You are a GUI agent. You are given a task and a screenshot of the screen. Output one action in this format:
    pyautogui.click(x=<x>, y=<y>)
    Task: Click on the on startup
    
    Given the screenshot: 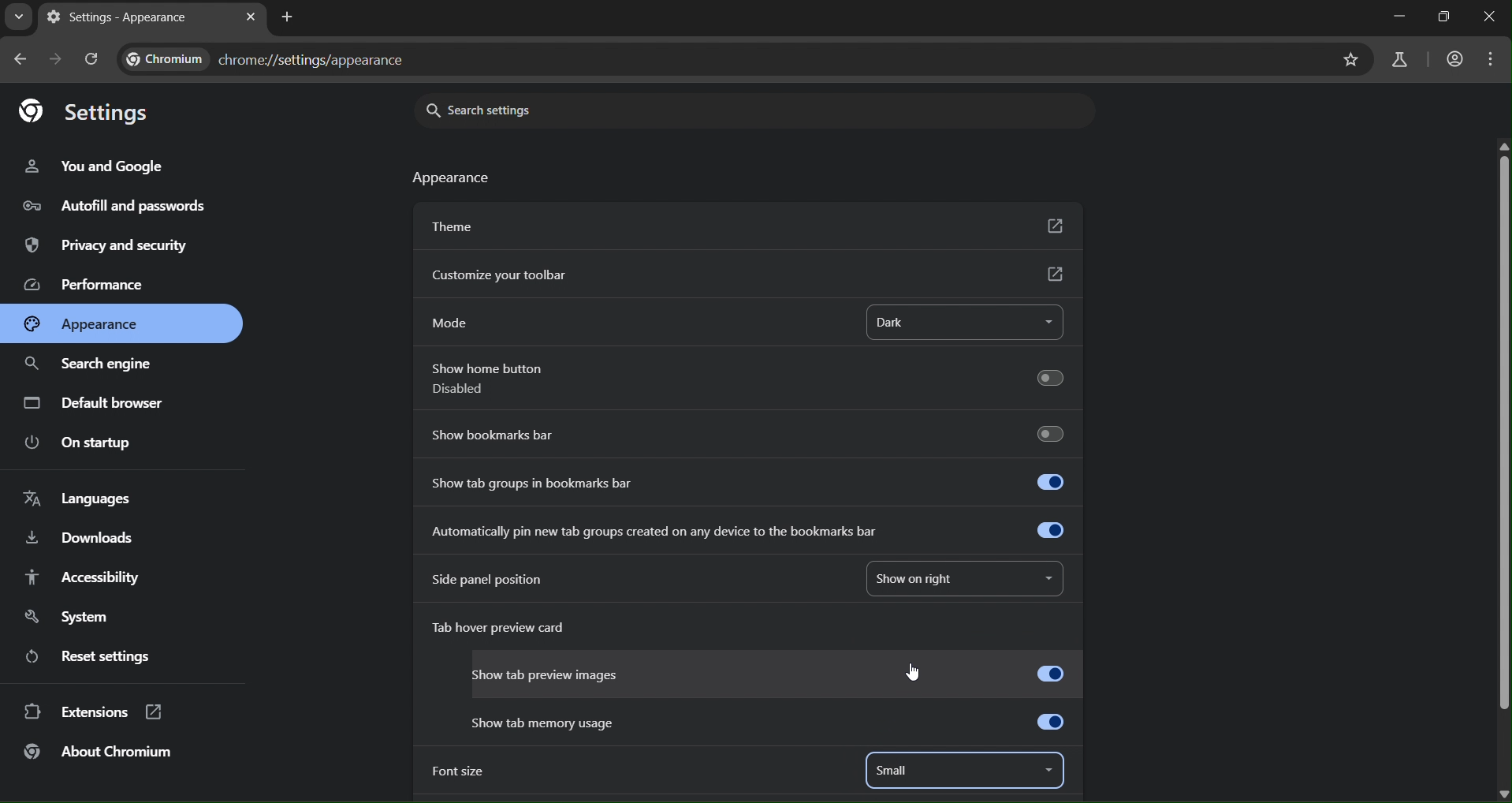 What is the action you would take?
    pyautogui.click(x=88, y=444)
    